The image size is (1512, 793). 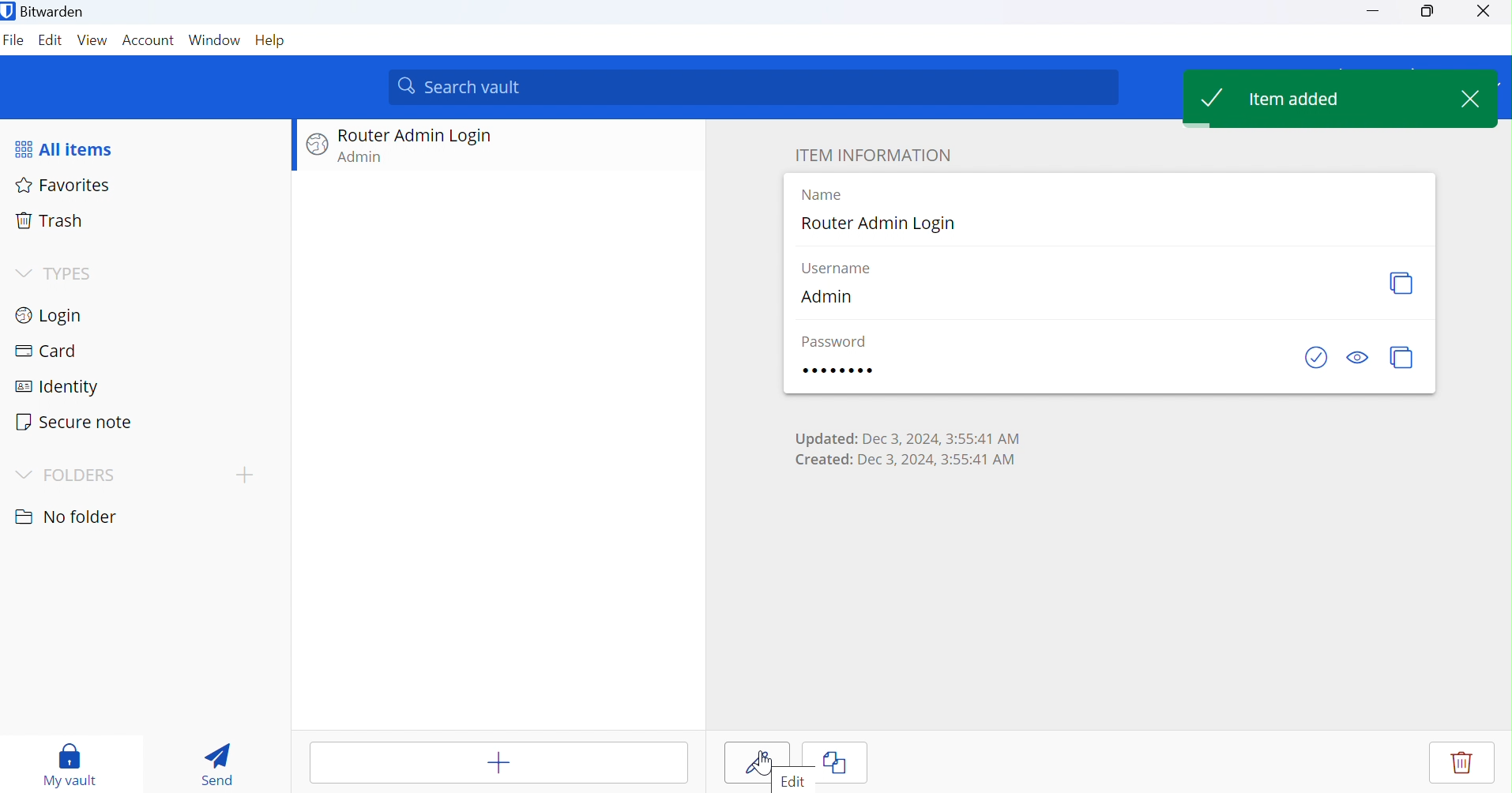 I want to click on File, so click(x=14, y=43).